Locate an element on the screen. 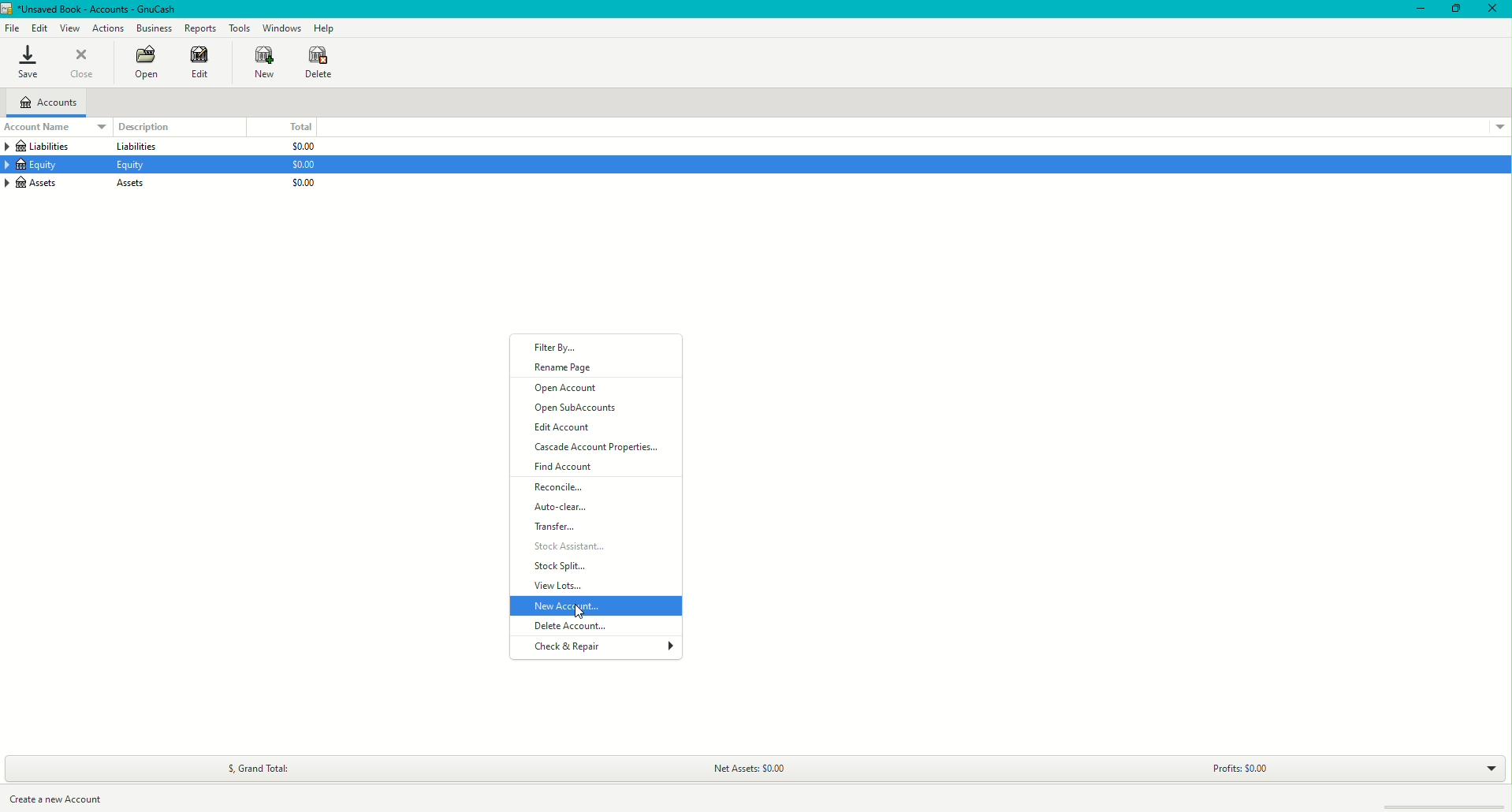 This screenshot has width=1512, height=812. Edit is located at coordinates (37, 26).